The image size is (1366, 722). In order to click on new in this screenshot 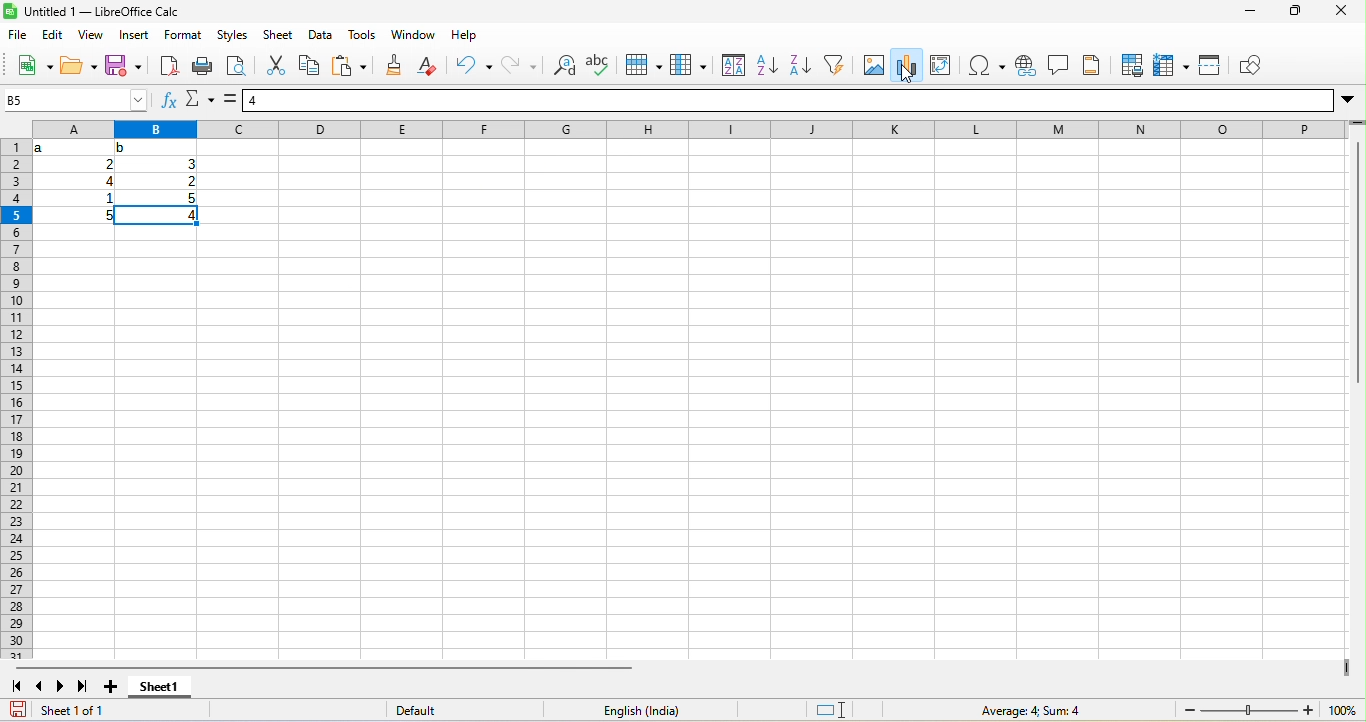, I will do `click(35, 64)`.